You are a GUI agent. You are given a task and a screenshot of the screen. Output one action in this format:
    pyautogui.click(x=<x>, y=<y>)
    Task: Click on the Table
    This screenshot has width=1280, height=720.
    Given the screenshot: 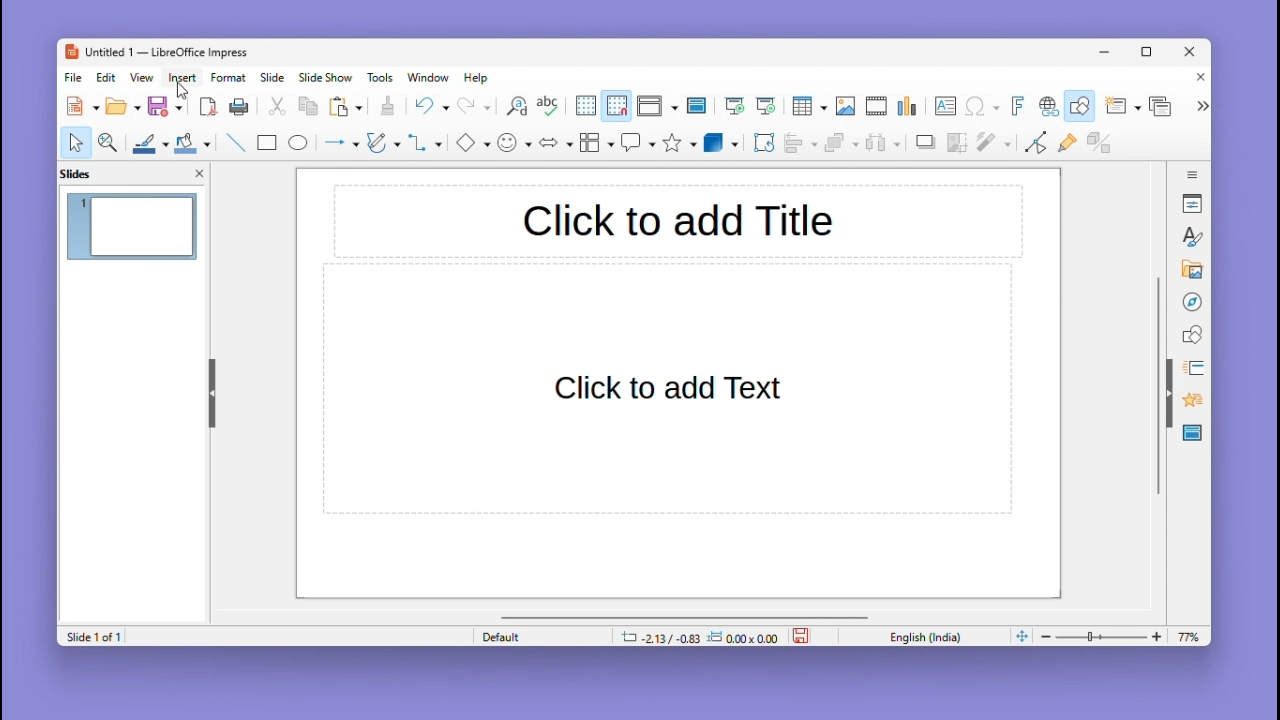 What is the action you would take?
    pyautogui.click(x=809, y=107)
    